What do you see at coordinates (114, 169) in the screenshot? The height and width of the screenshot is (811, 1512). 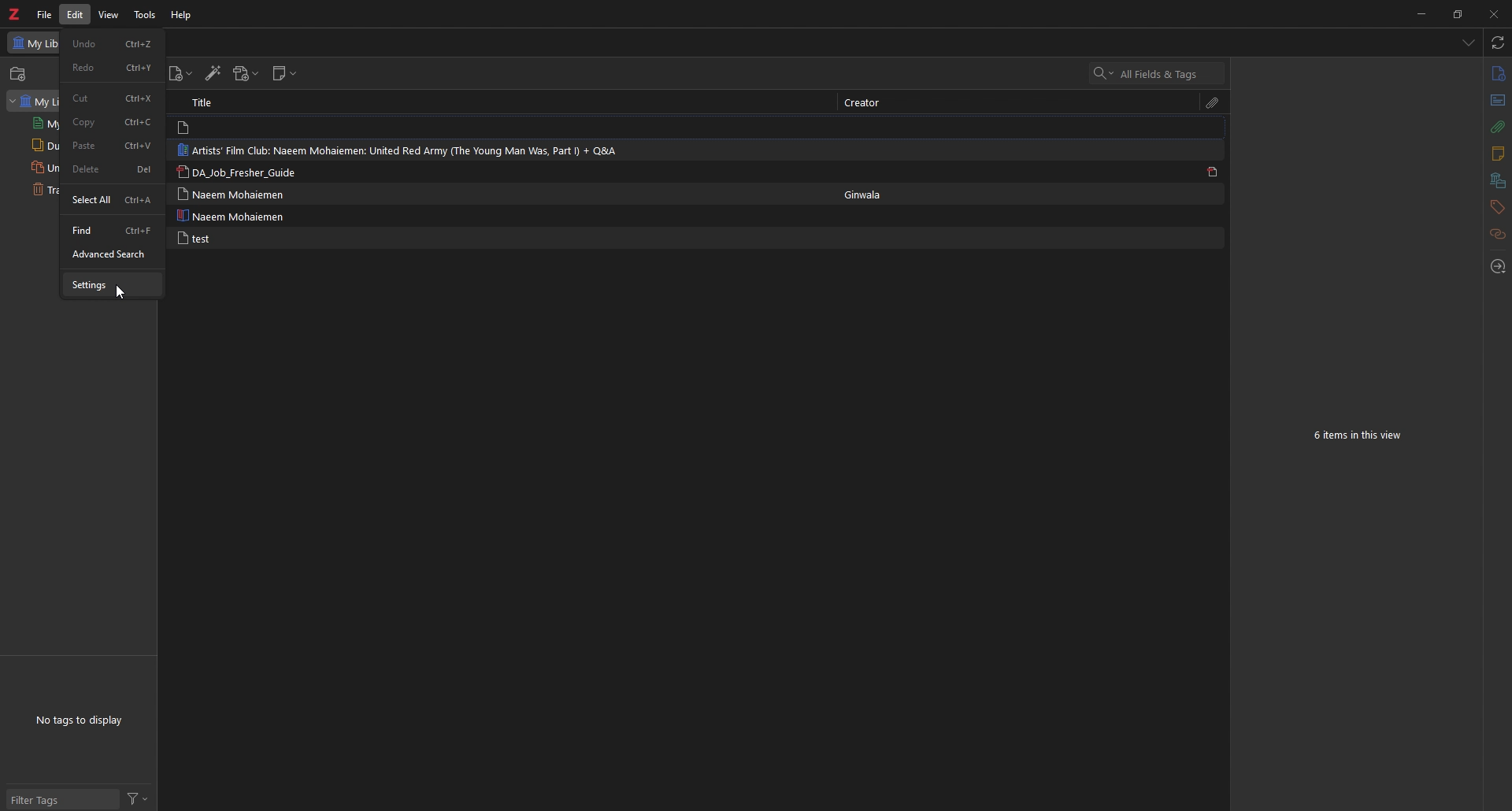 I see `Delete Del` at bounding box center [114, 169].